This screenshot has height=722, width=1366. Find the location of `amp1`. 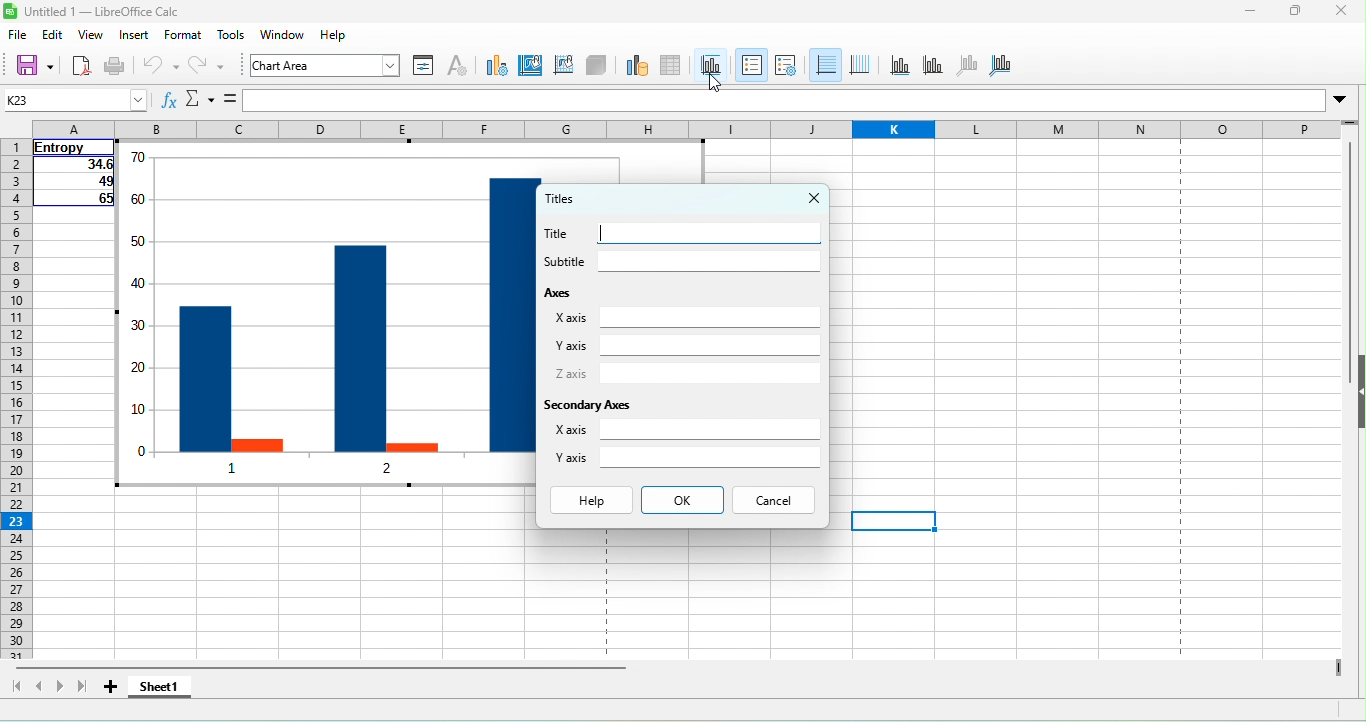

amp1 is located at coordinates (258, 444).